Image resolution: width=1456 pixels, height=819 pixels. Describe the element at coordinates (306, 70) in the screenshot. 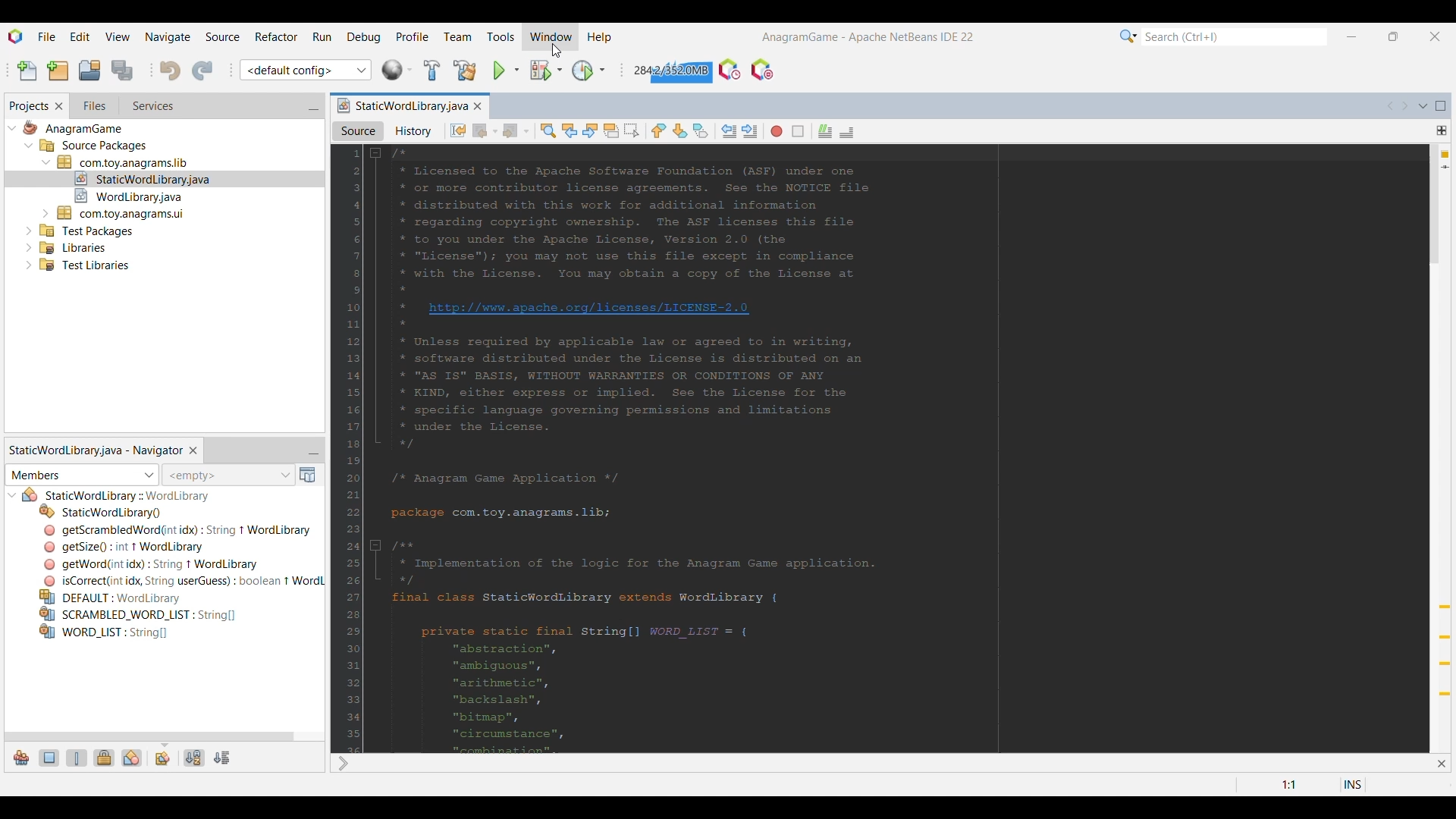

I see `Select project configuration or Customize` at that location.